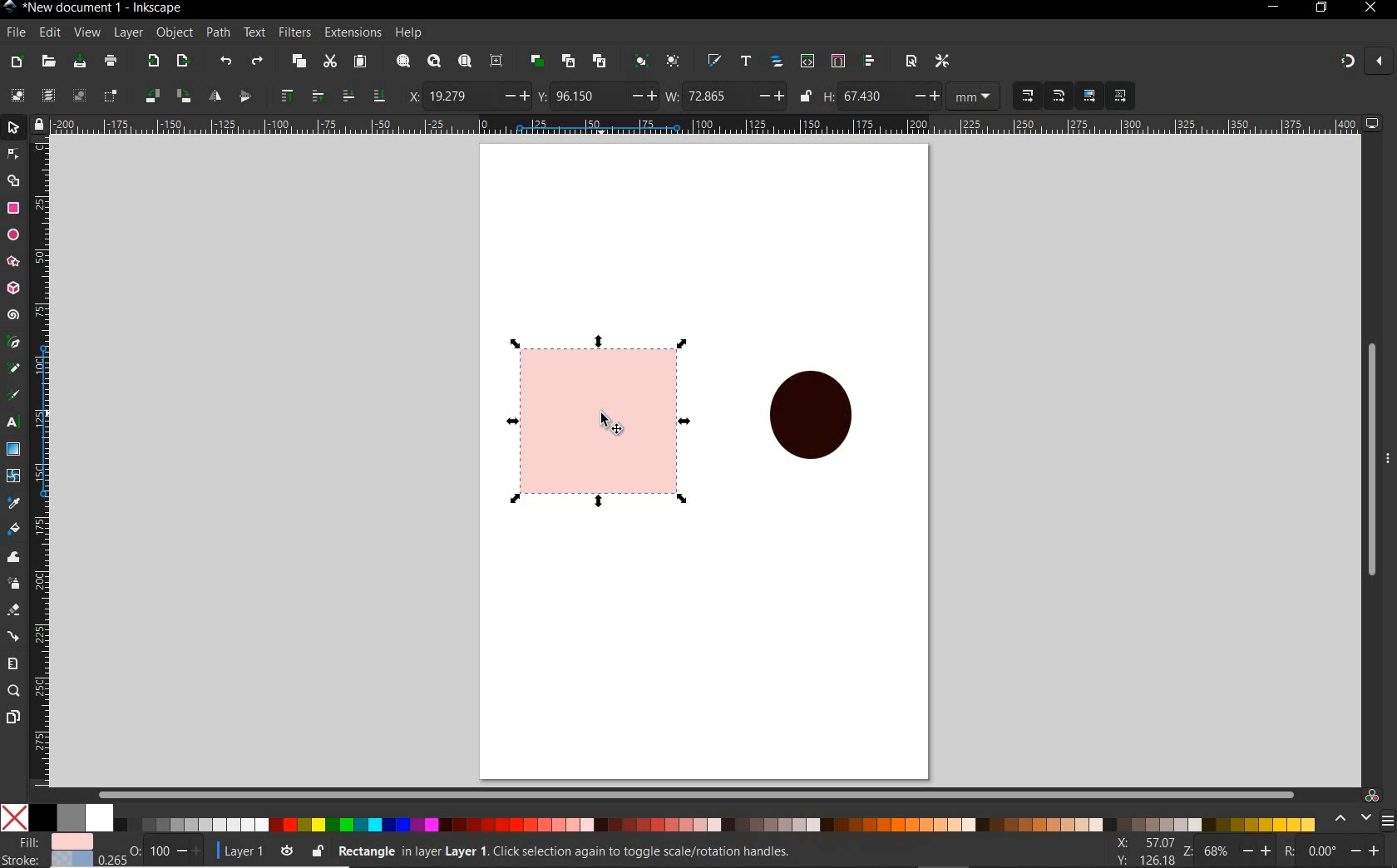 Image resolution: width=1397 pixels, height=868 pixels. I want to click on page tool, so click(12, 718).